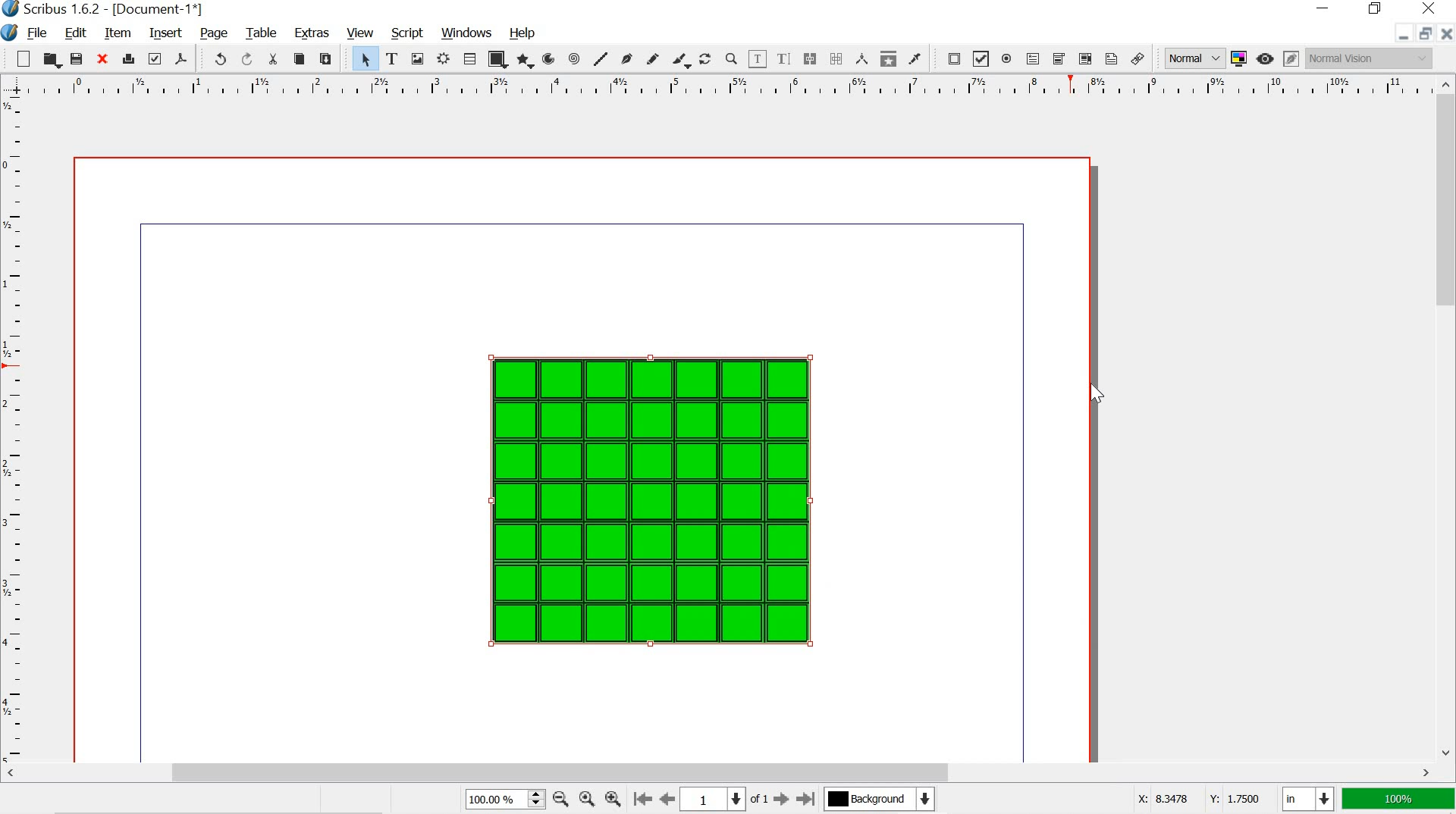 This screenshot has width=1456, height=814. I want to click on 100.00%, so click(488, 801).